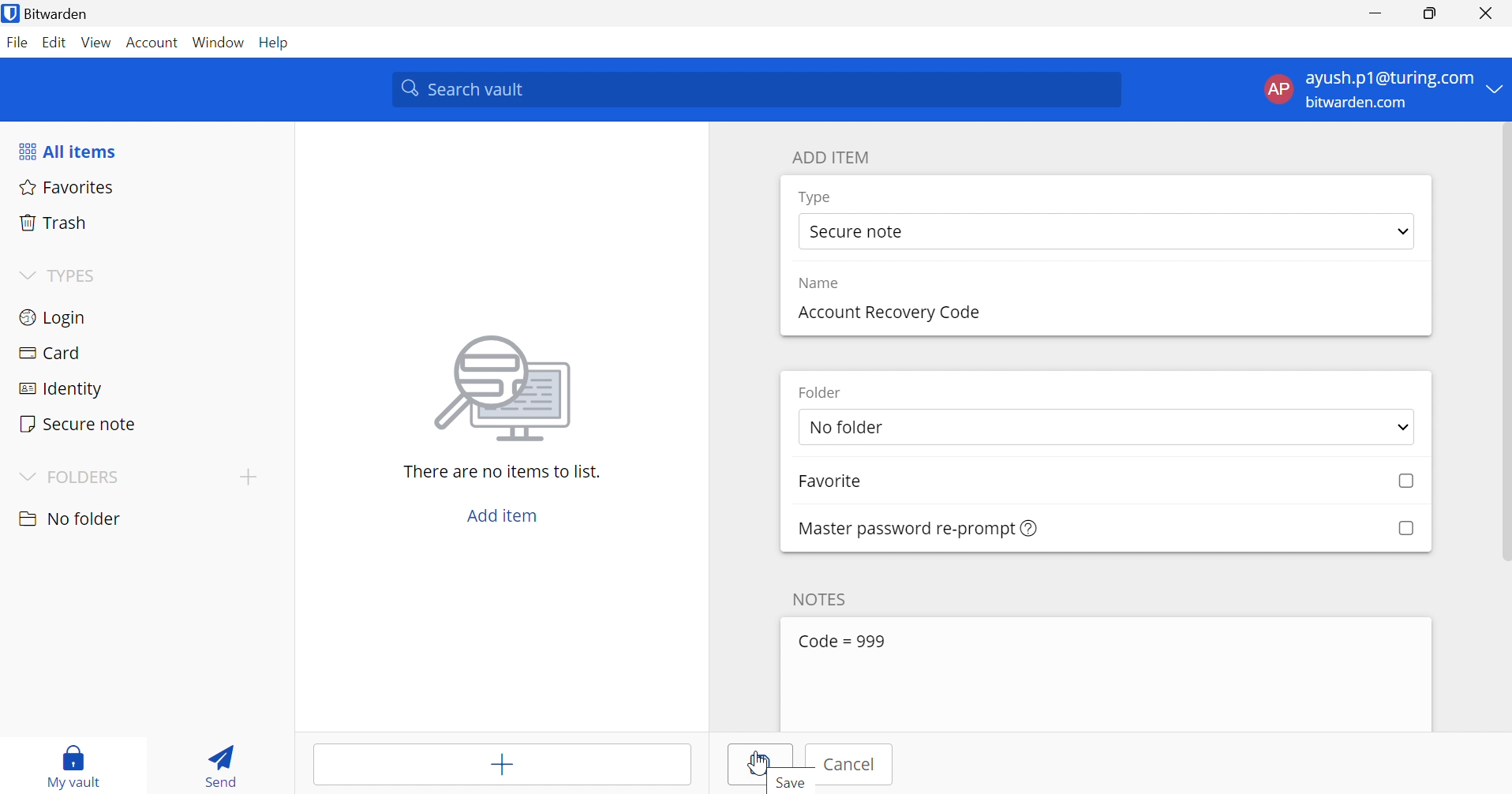 The height and width of the screenshot is (794, 1512). Describe the element at coordinates (500, 767) in the screenshot. I see `Add item` at that location.